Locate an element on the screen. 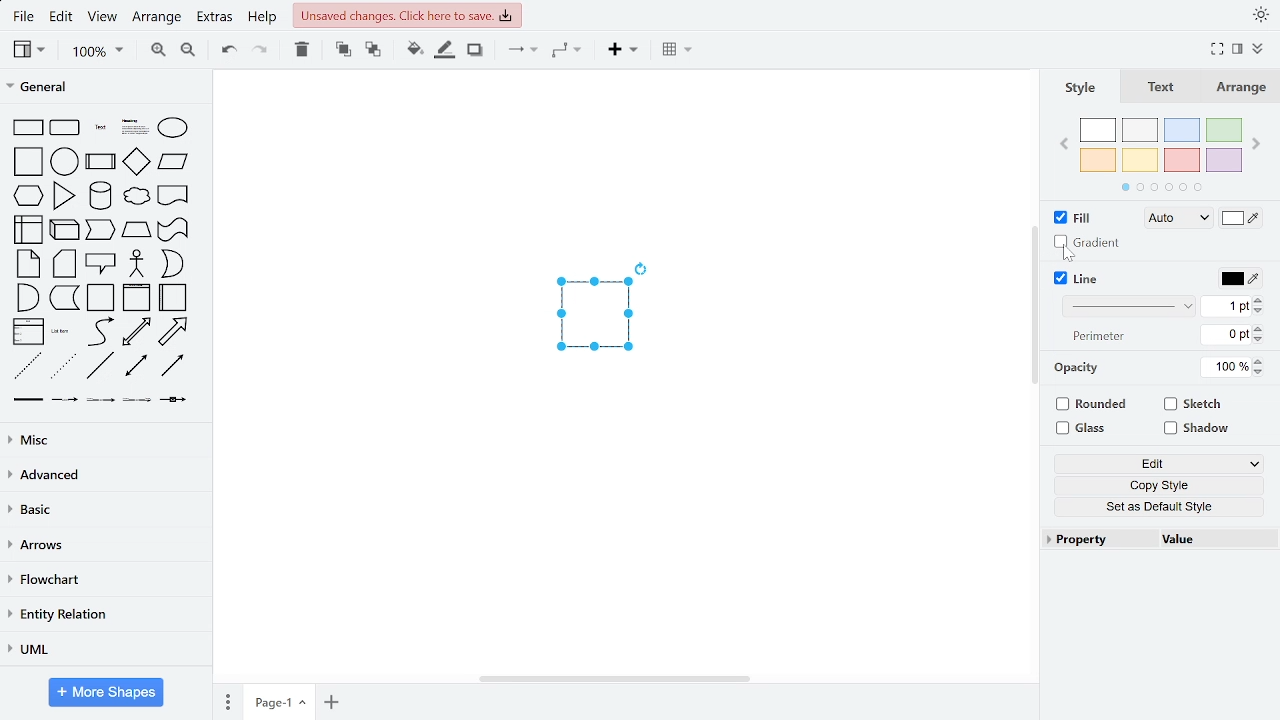 The height and width of the screenshot is (720, 1280). current perimeter is located at coordinates (1226, 334).